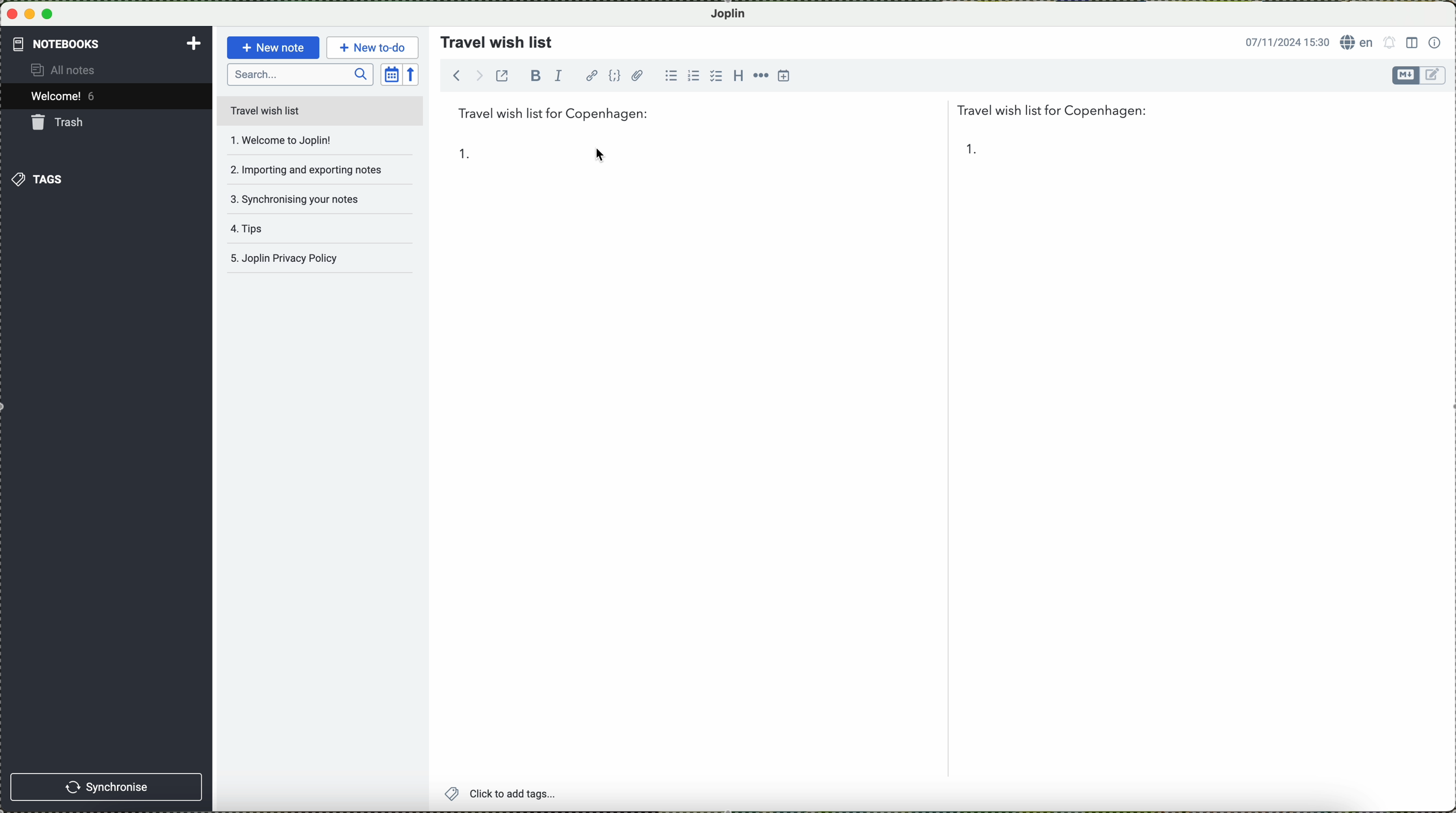 This screenshot has height=813, width=1456. What do you see at coordinates (674, 76) in the screenshot?
I see `bulleted list` at bounding box center [674, 76].